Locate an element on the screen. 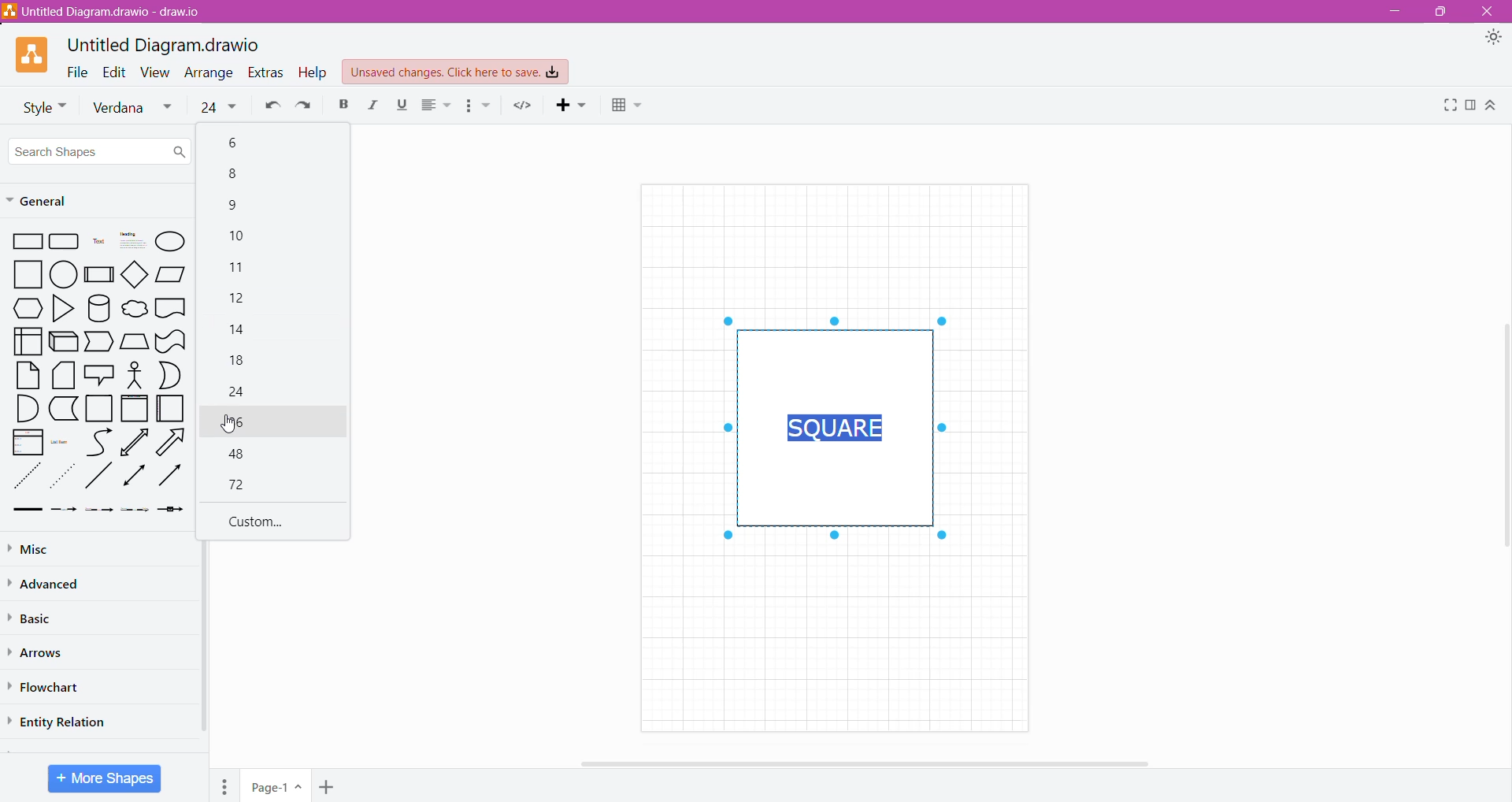 This screenshot has height=802, width=1512. 3D Rectangle  is located at coordinates (63, 343).